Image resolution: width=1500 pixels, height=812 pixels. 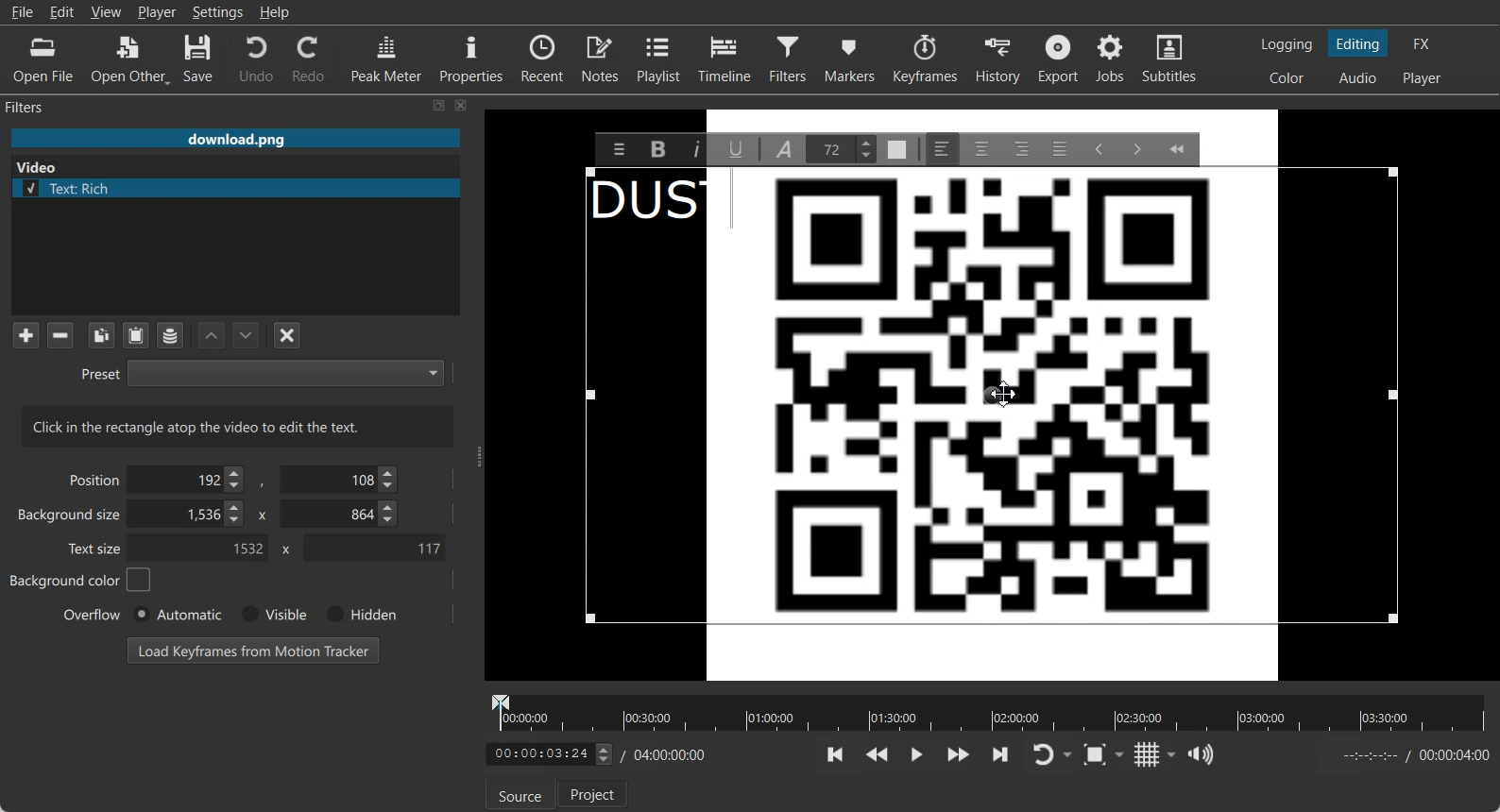 I want to click on Background size Y- Co-ordinate, so click(x=341, y=516).